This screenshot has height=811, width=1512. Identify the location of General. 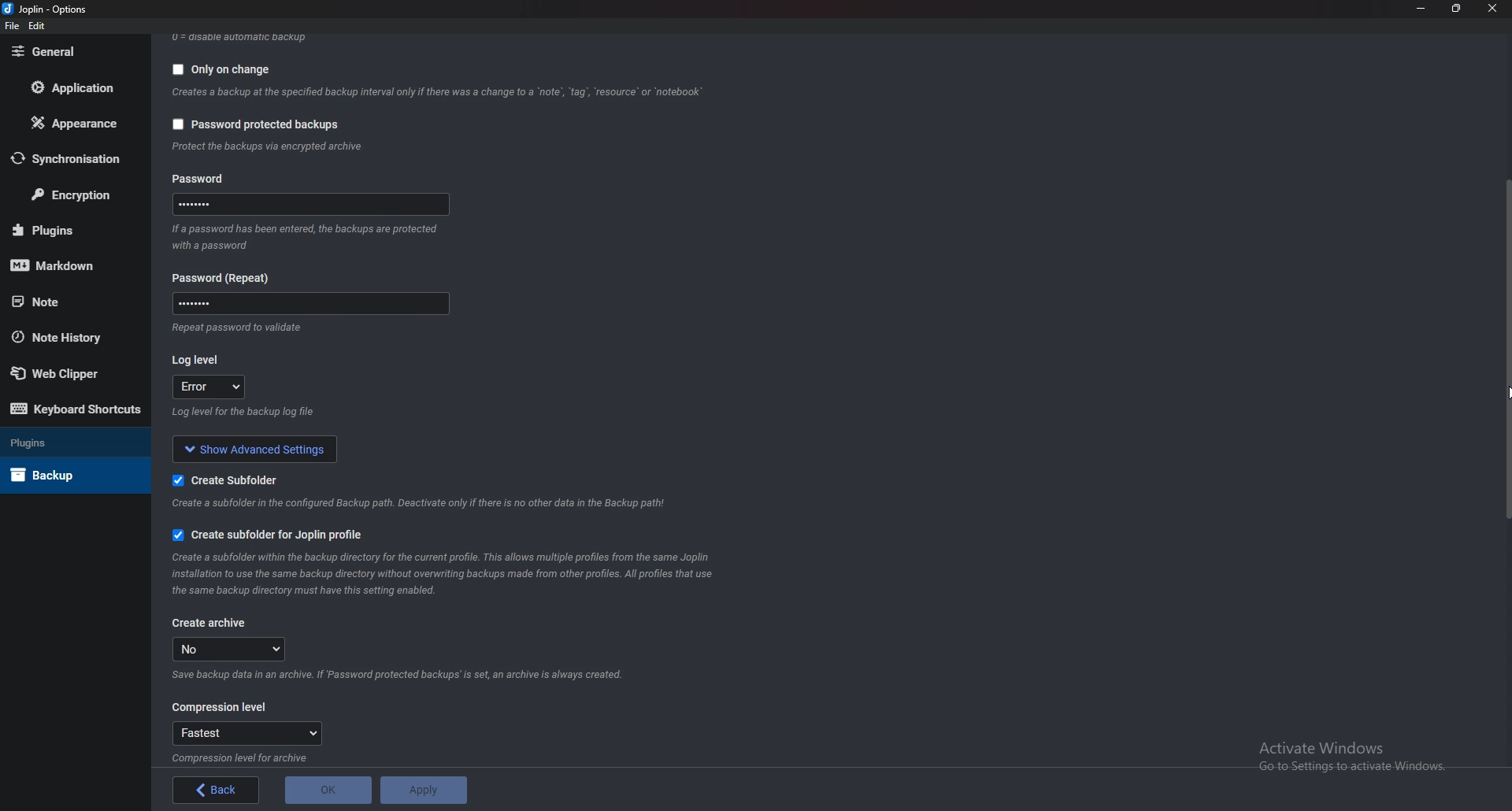
(69, 52).